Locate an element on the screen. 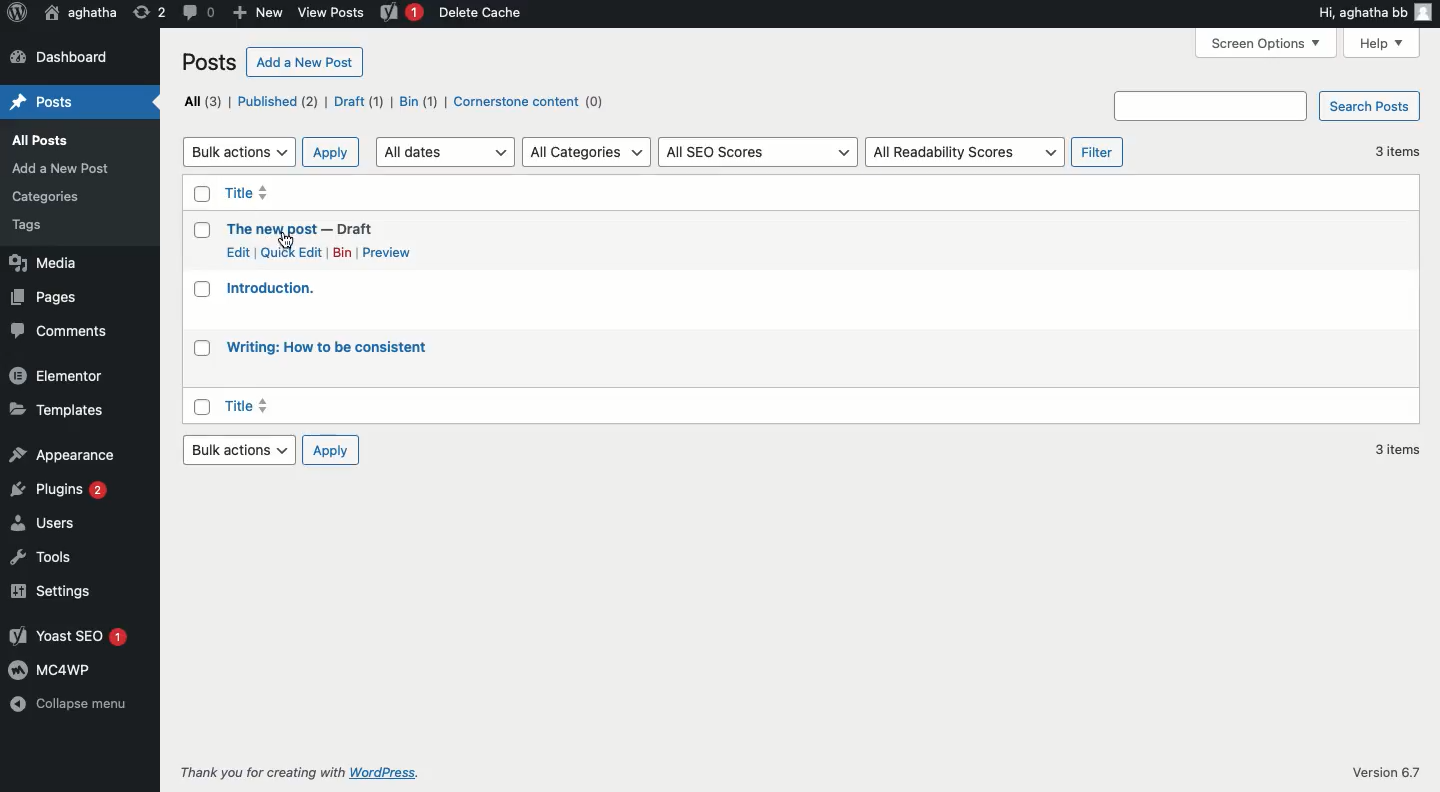 This screenshot has height=792, width=1440. Hi, aghatha bb is located at coordinates (1359, 12).